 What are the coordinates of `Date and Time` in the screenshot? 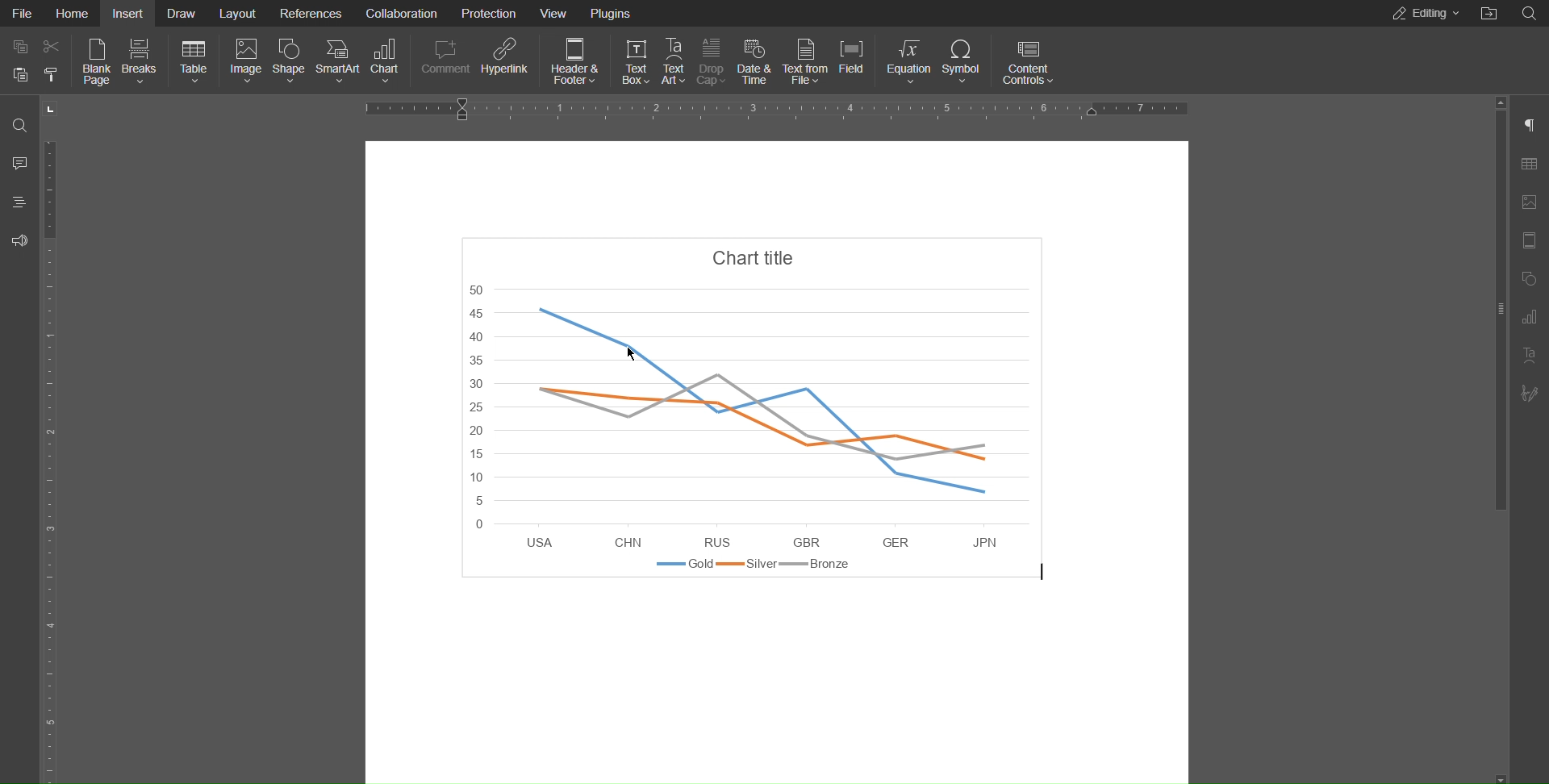 It's located at (754, 60).